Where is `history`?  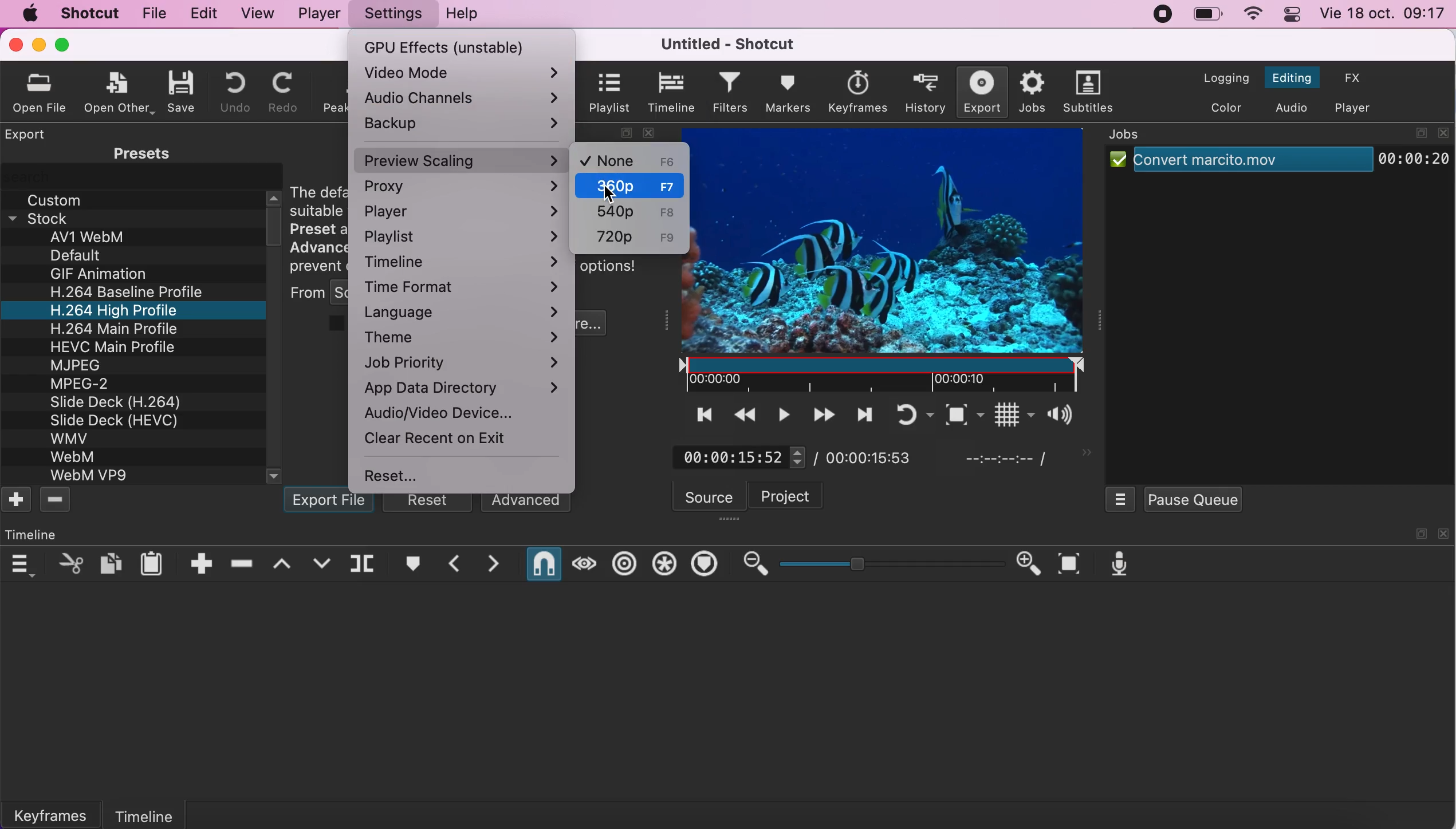
history is located at coordinates (920, 93).